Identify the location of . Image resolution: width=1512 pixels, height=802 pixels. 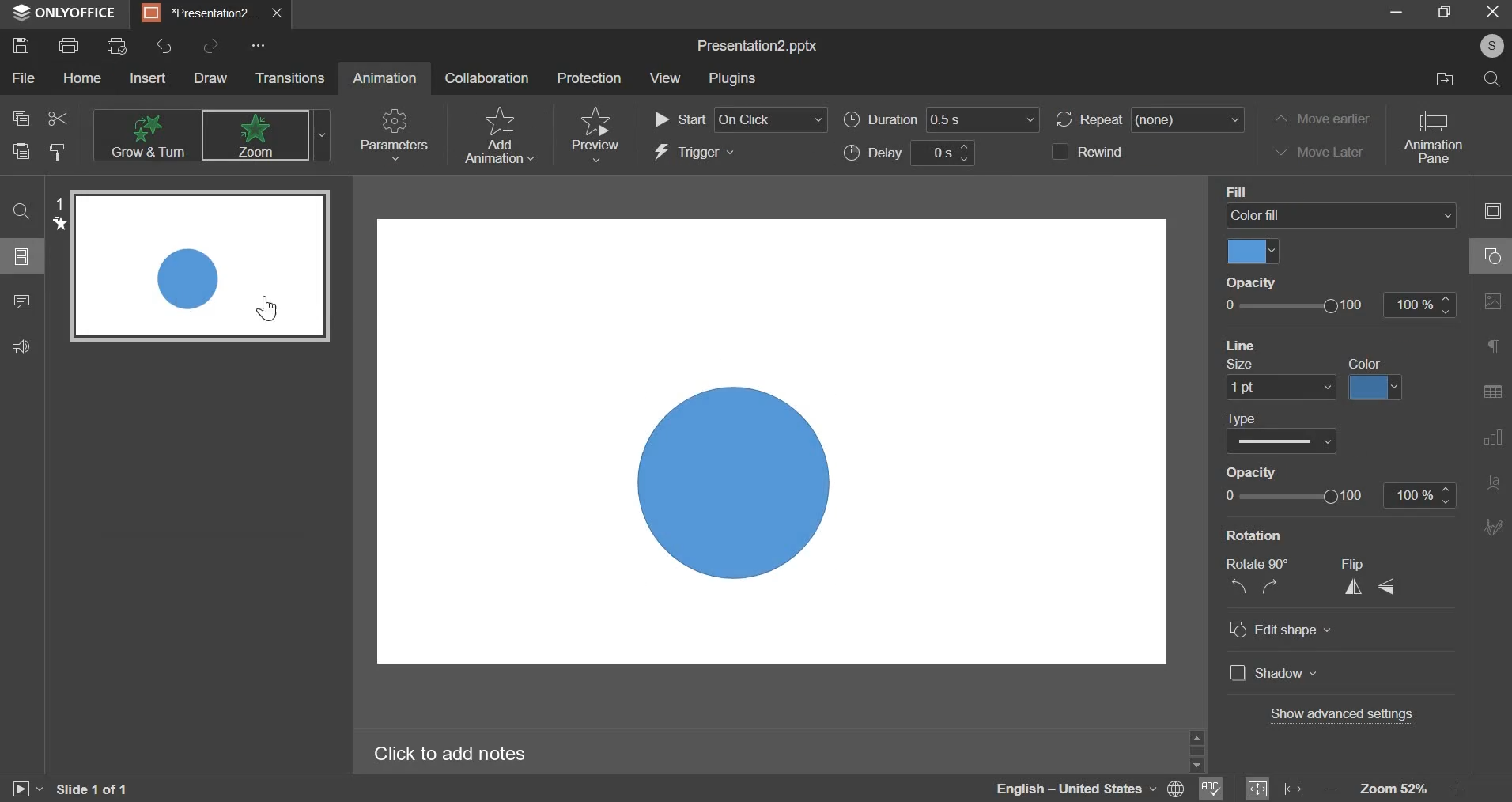
(259, 44).